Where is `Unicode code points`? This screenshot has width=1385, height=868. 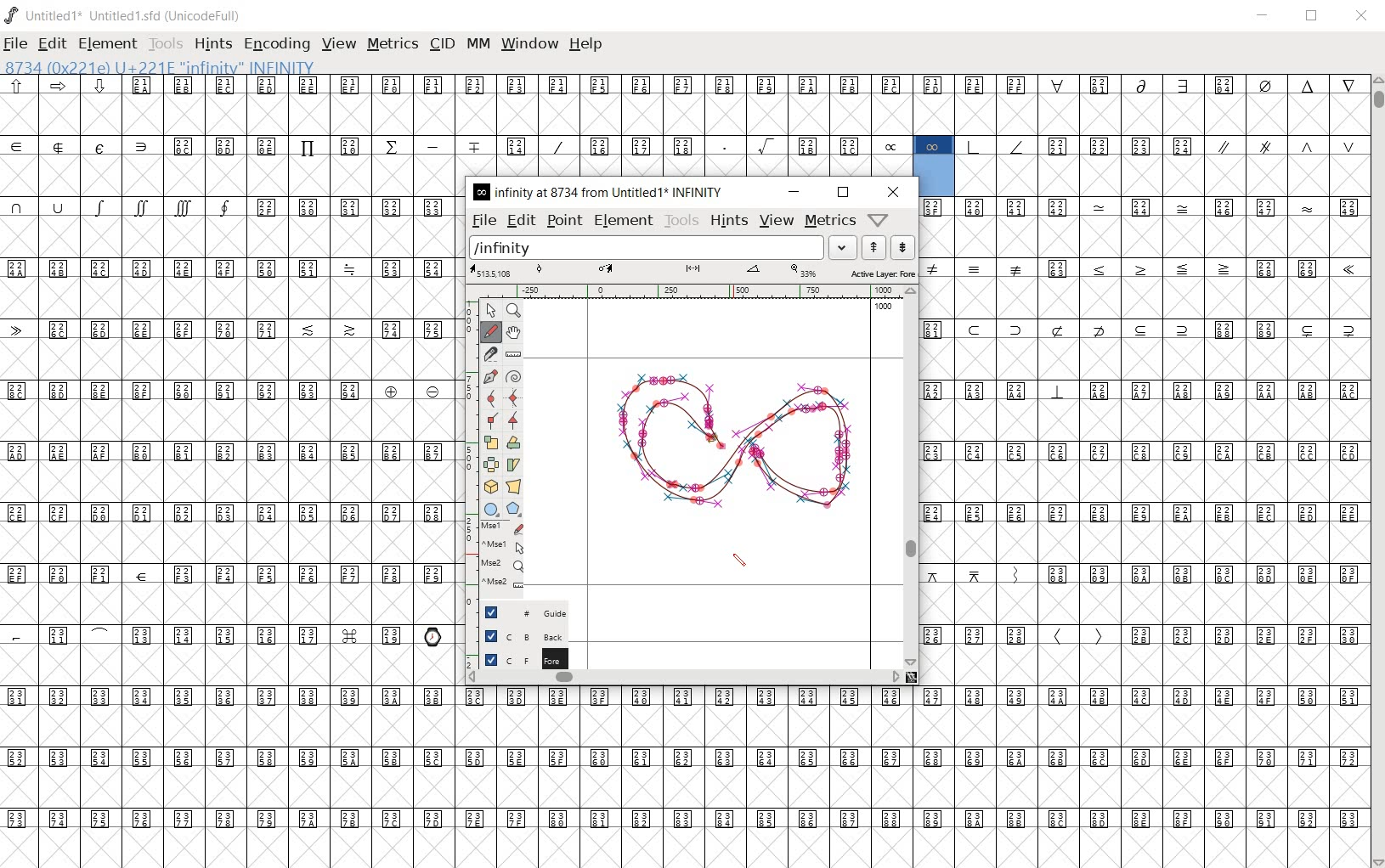 Unicode code points is located at coordinates (226, 330).